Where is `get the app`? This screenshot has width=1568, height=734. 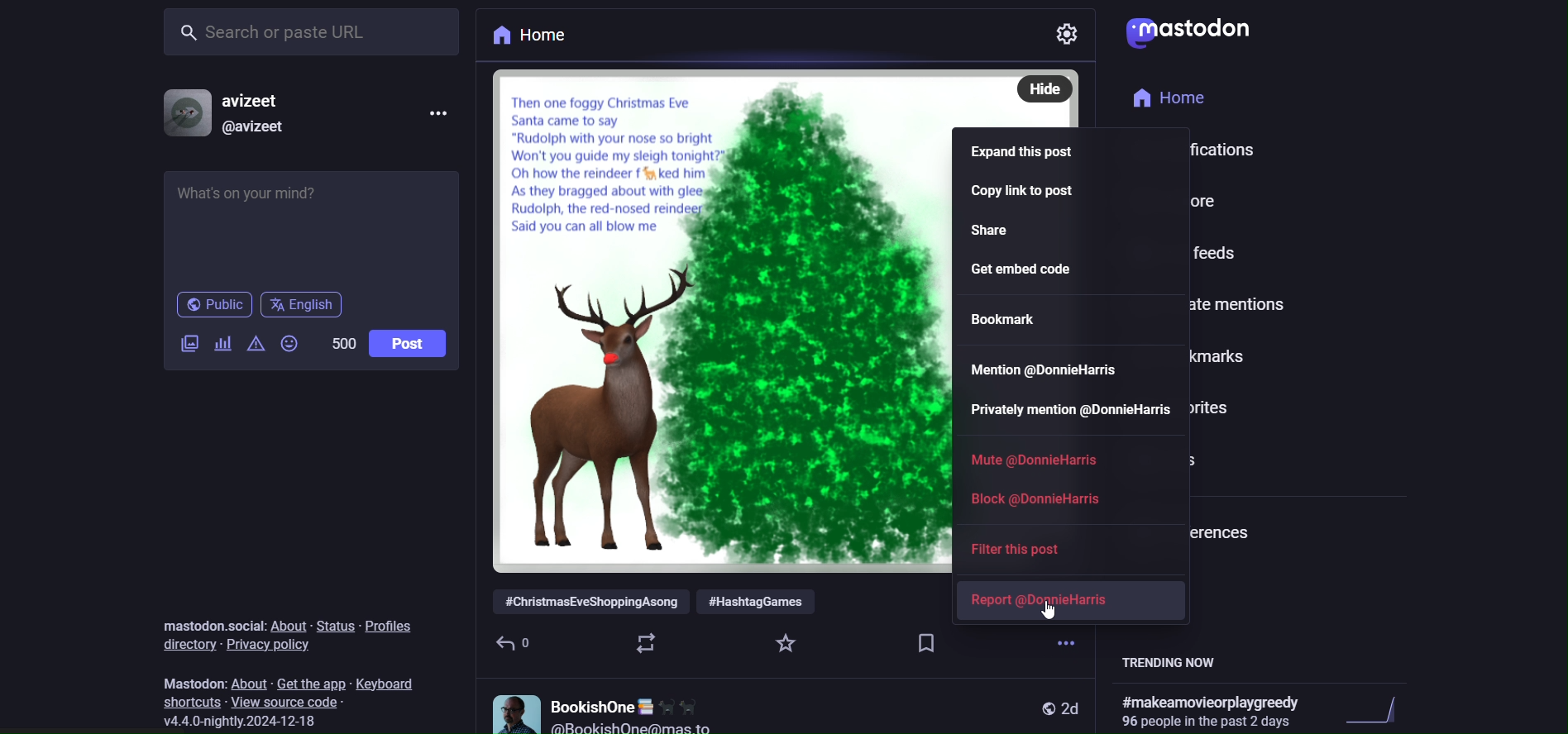 get the app is located at coordinates (309, 683).